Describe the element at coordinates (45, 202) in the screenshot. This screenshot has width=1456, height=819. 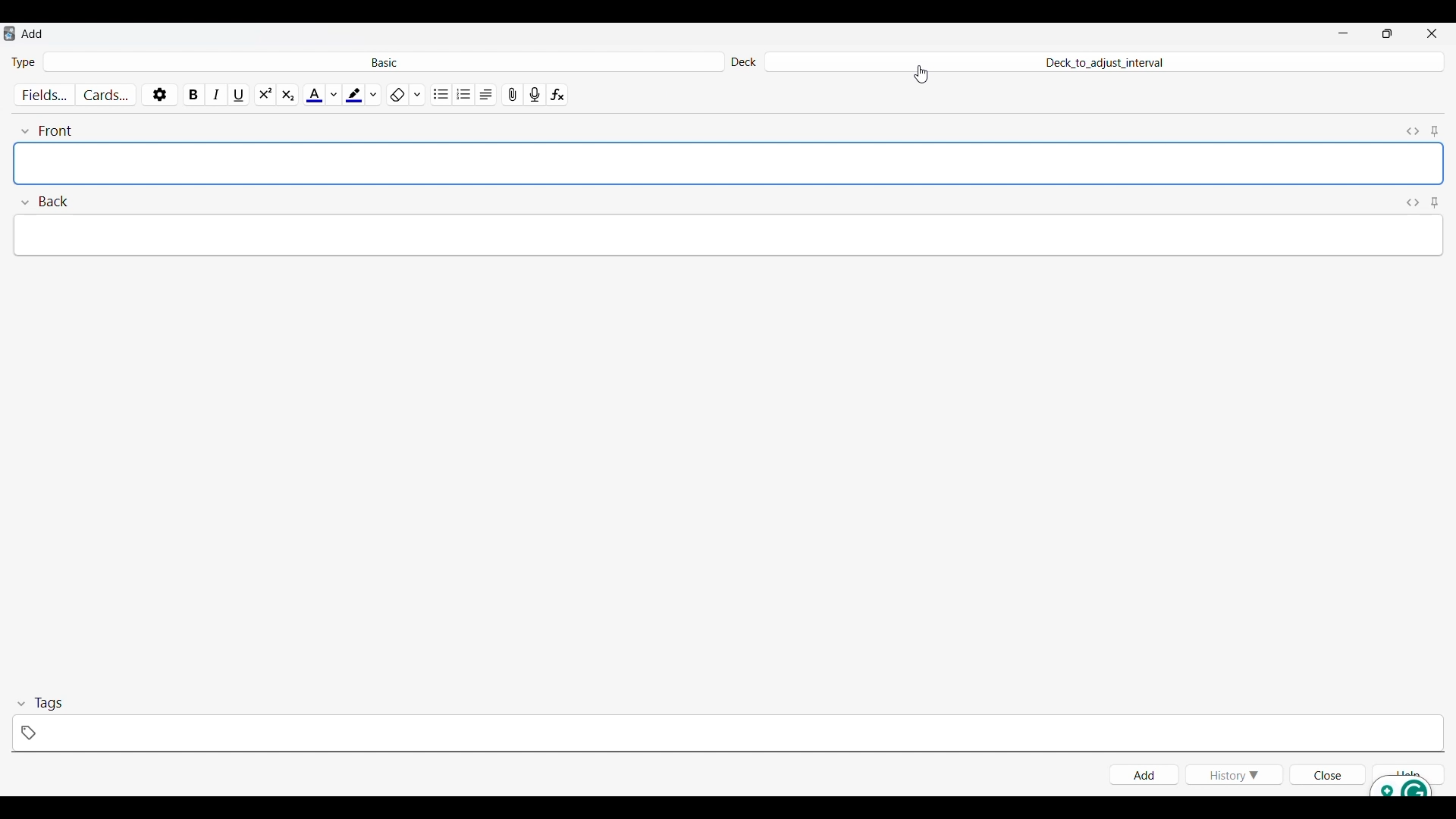
I see `Collapse Back field` at that location.